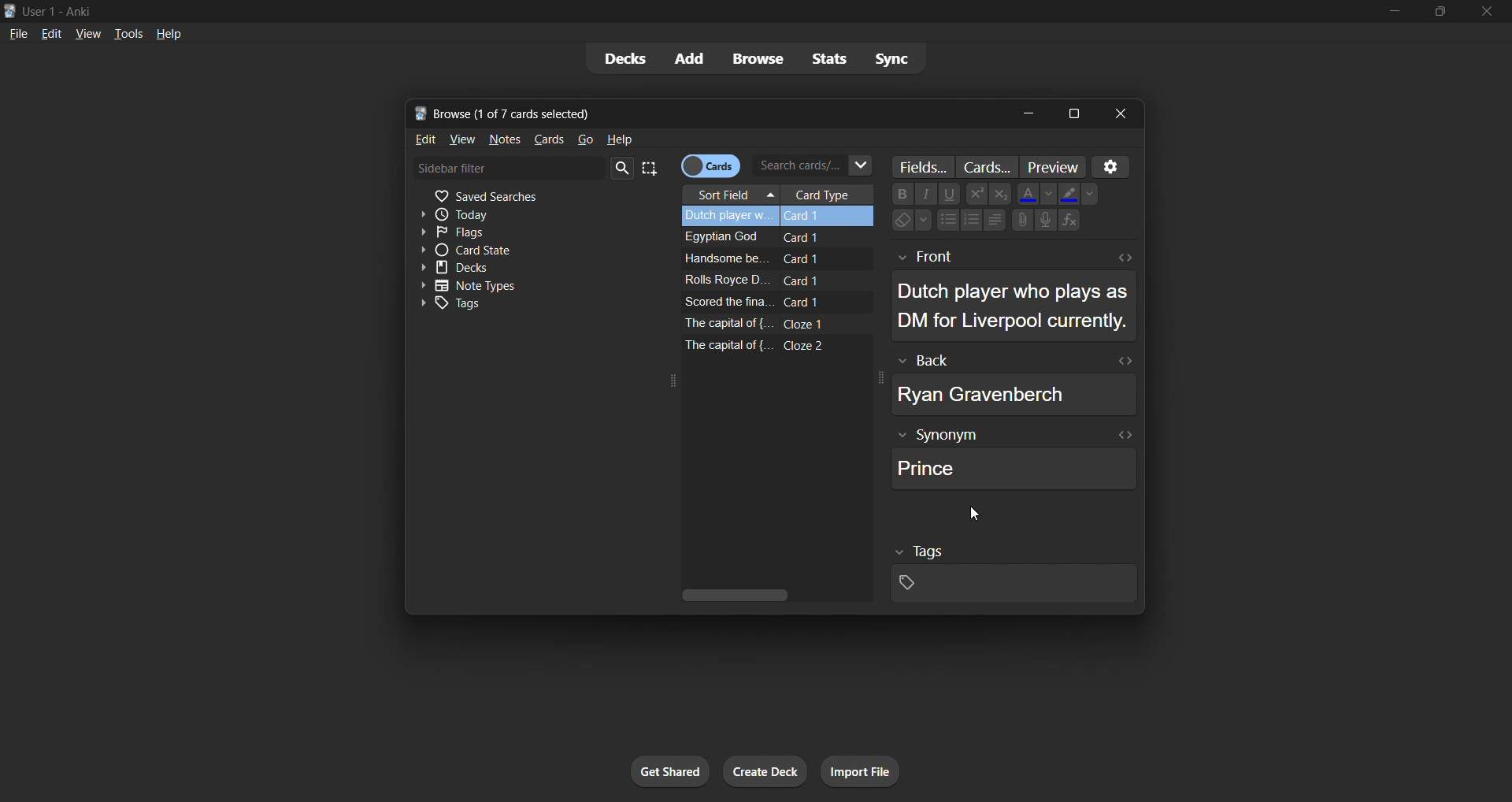 The height and width of the screenshot is (802, 1512). I want to click on decks toggle, so click(509, 265).